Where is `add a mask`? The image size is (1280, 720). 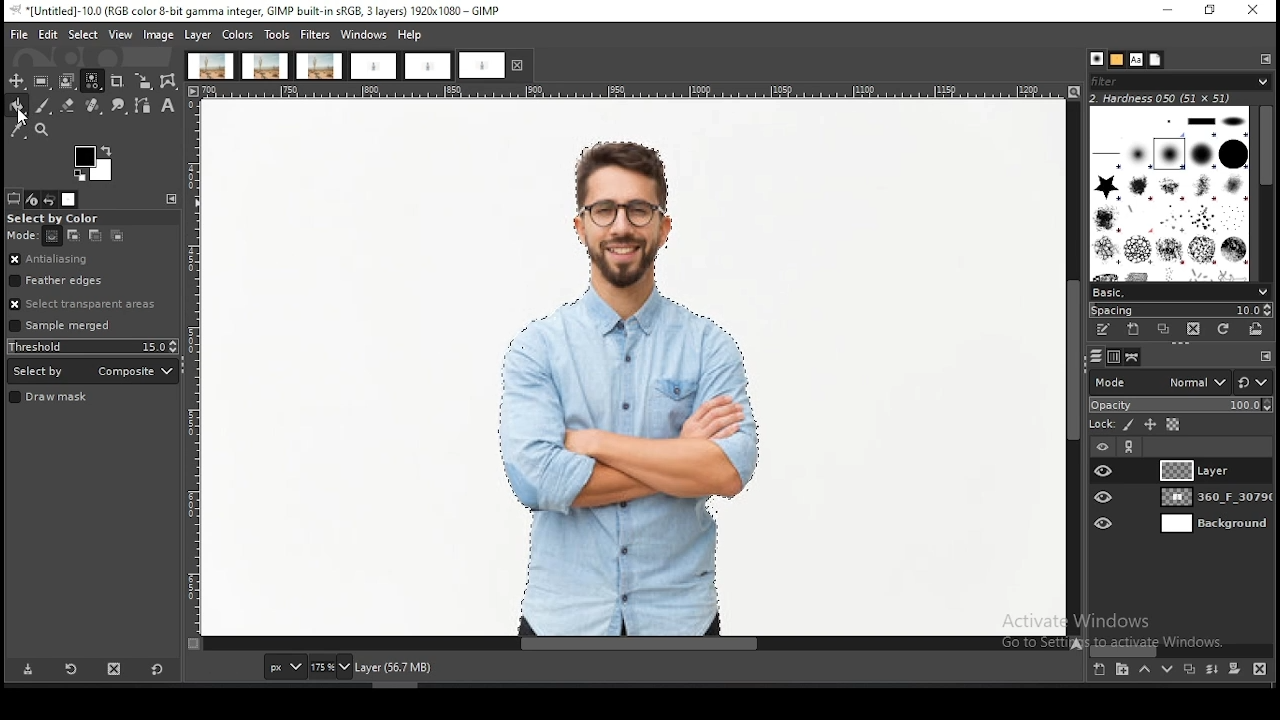
add a mask is located at coordinates (1234, 668).